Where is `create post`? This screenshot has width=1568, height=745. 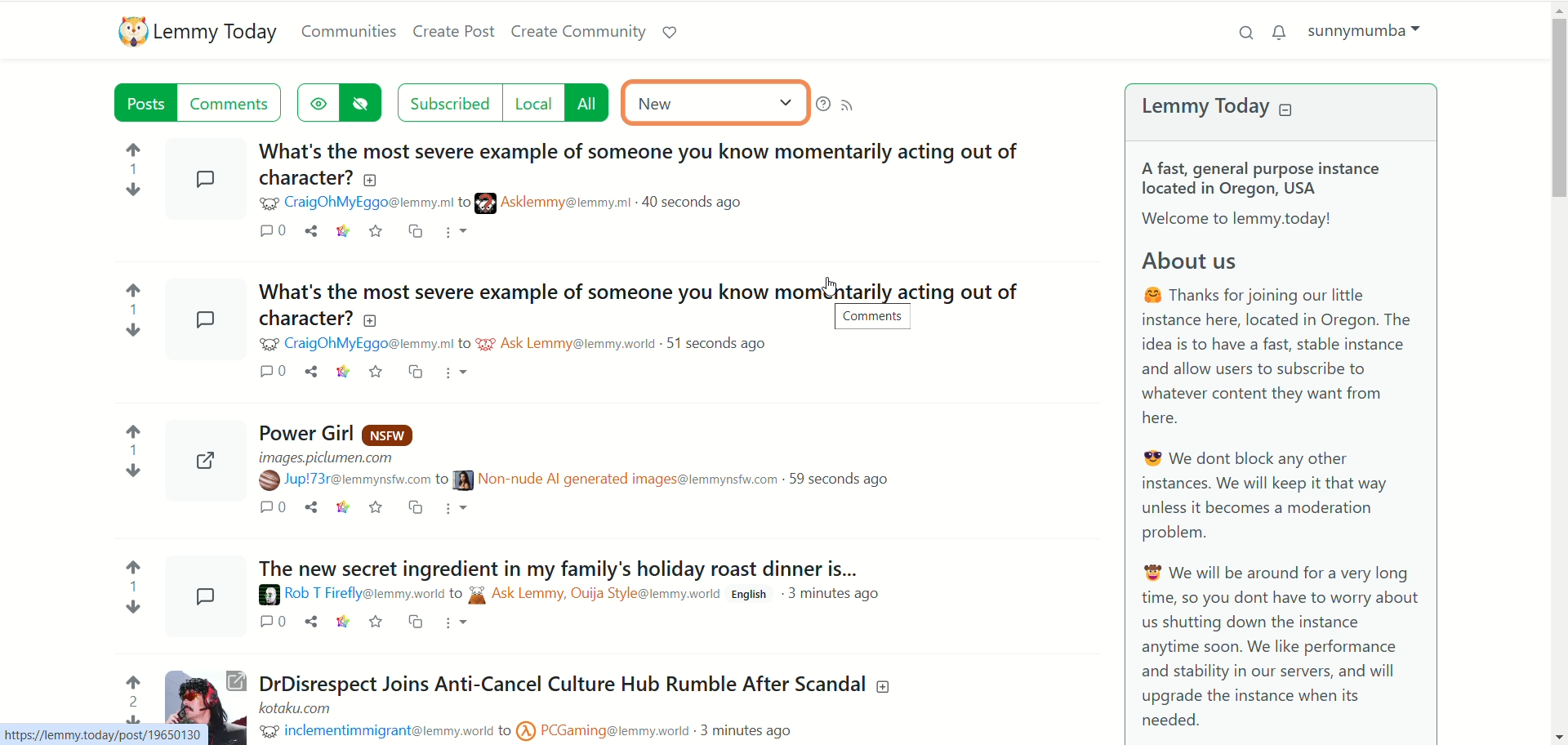
create post is located at coordinates (457, 33).